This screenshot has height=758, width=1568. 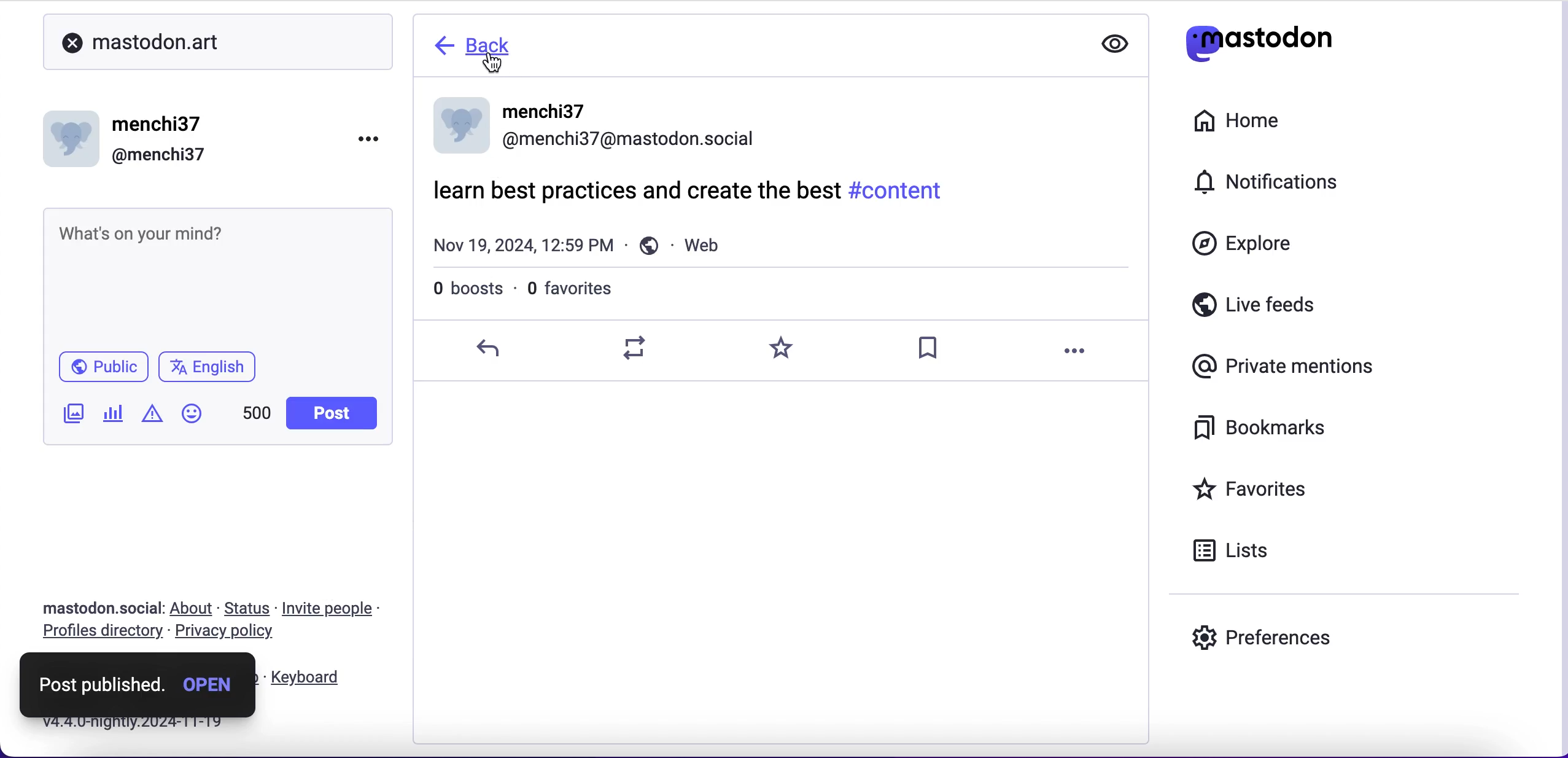 What do you see at coordinates (1269, 432) in the screenshot?
I see `bookmarks` at bounding box center [1269, 432].